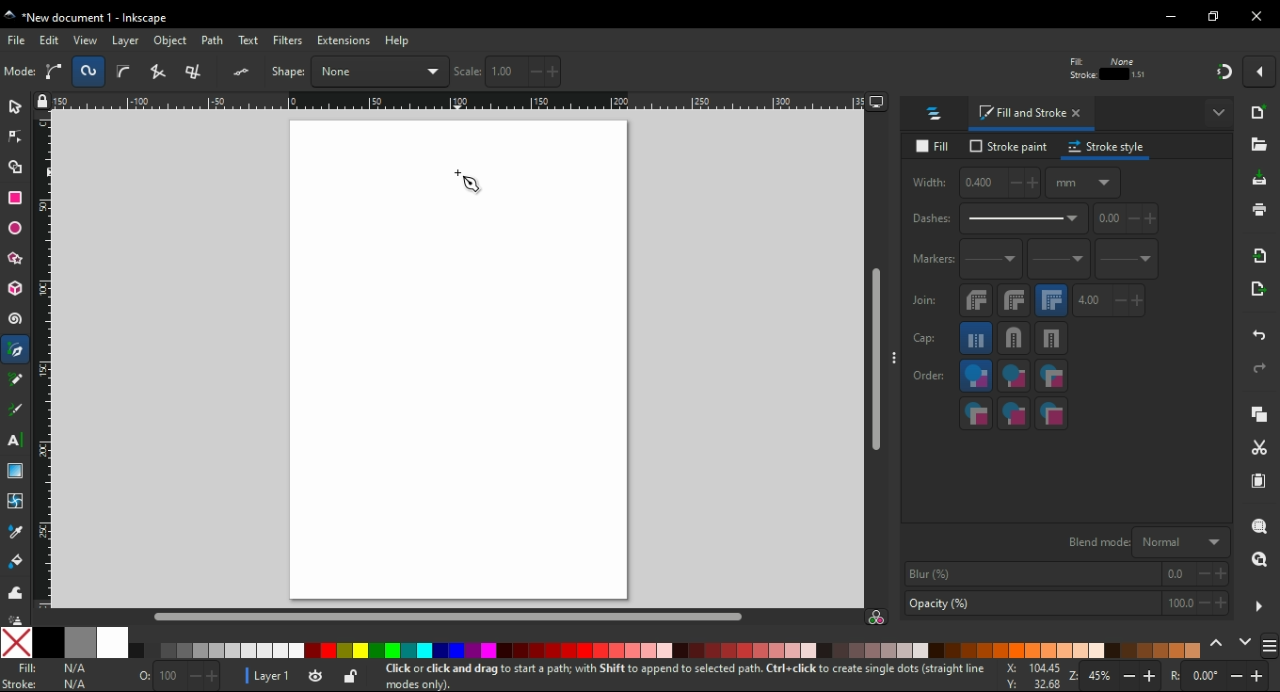 This screenshot has width=1280, height=692. Describe the element at coordinates (1224, 70) in the screenshot. I see `snap on/off` at that location.